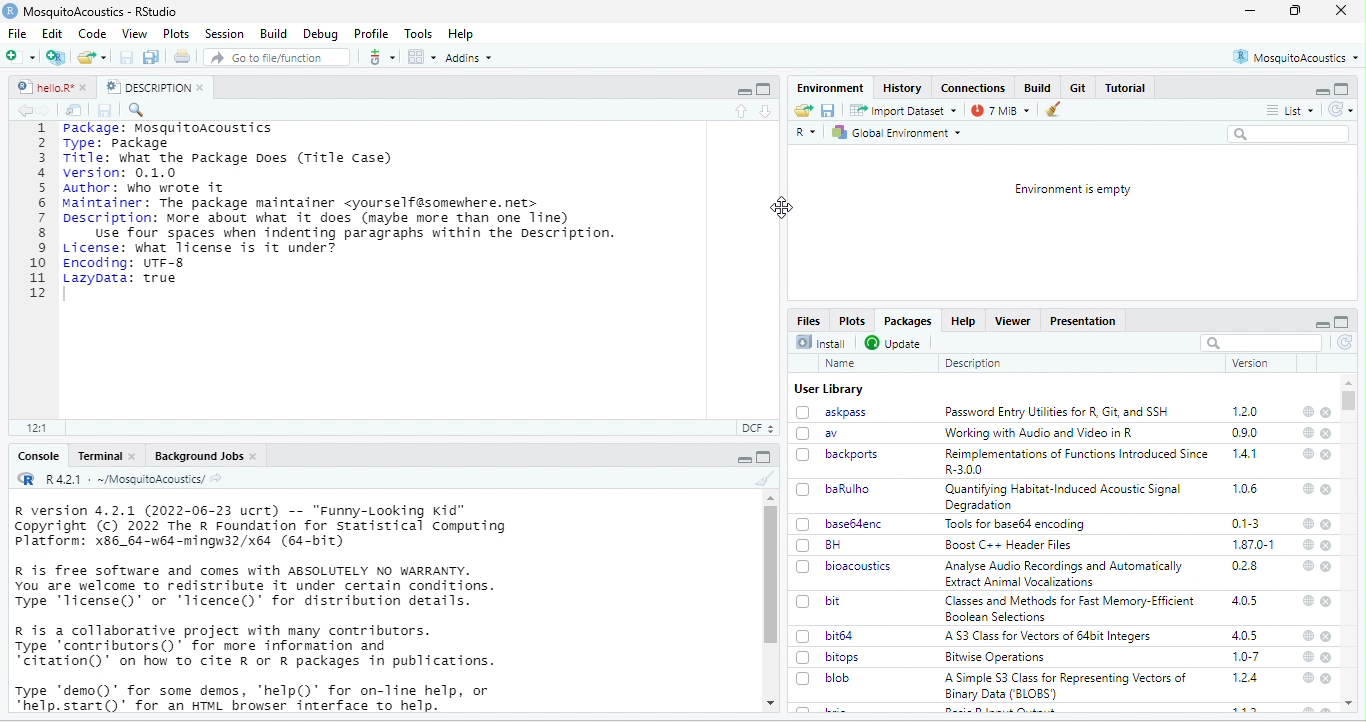 This screenshot has width=1366, height=722. I want to click on help, so click(1306, 523).